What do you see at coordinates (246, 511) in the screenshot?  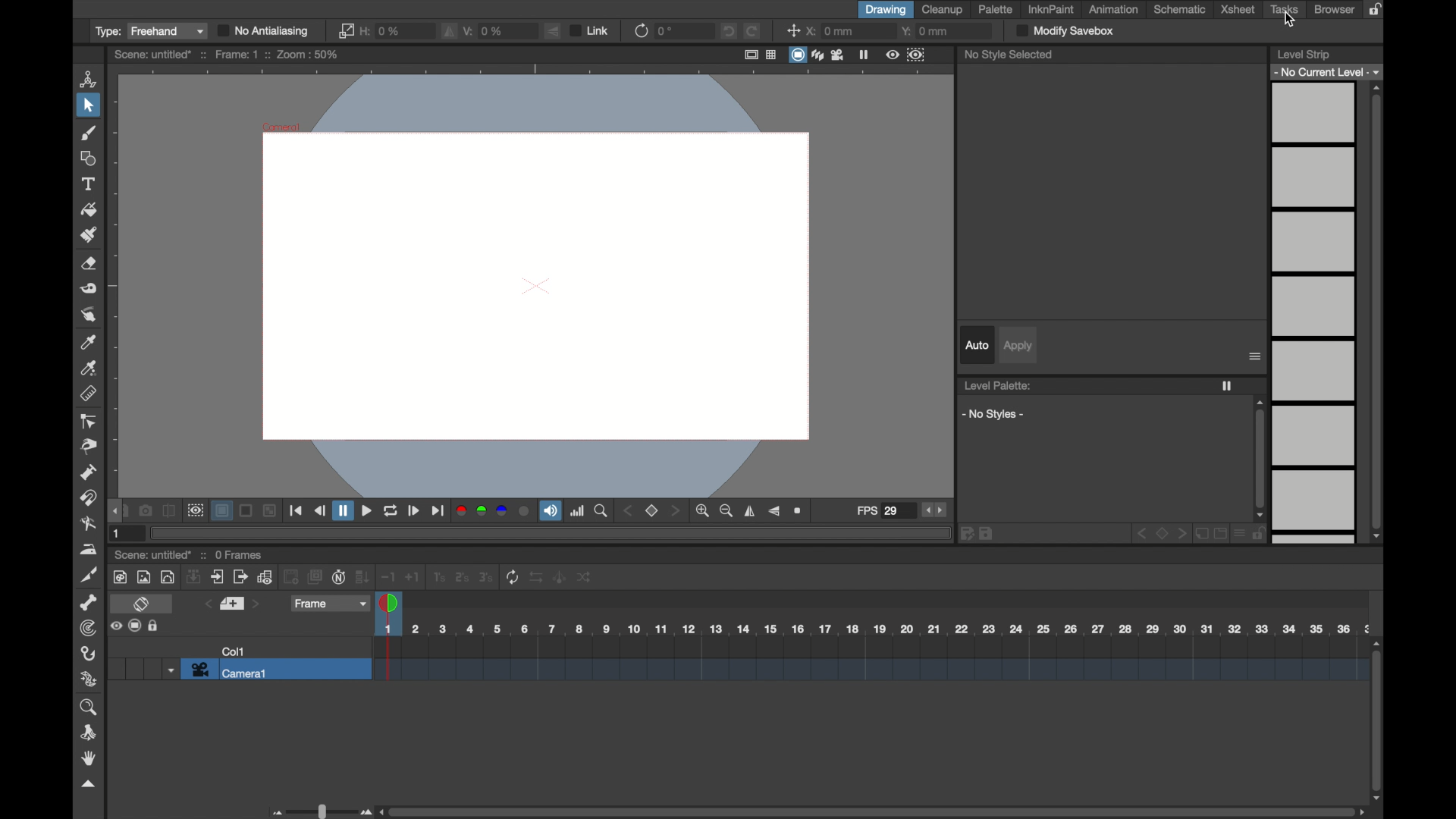 I see `backgrounds` at bounding box center [246, 511].